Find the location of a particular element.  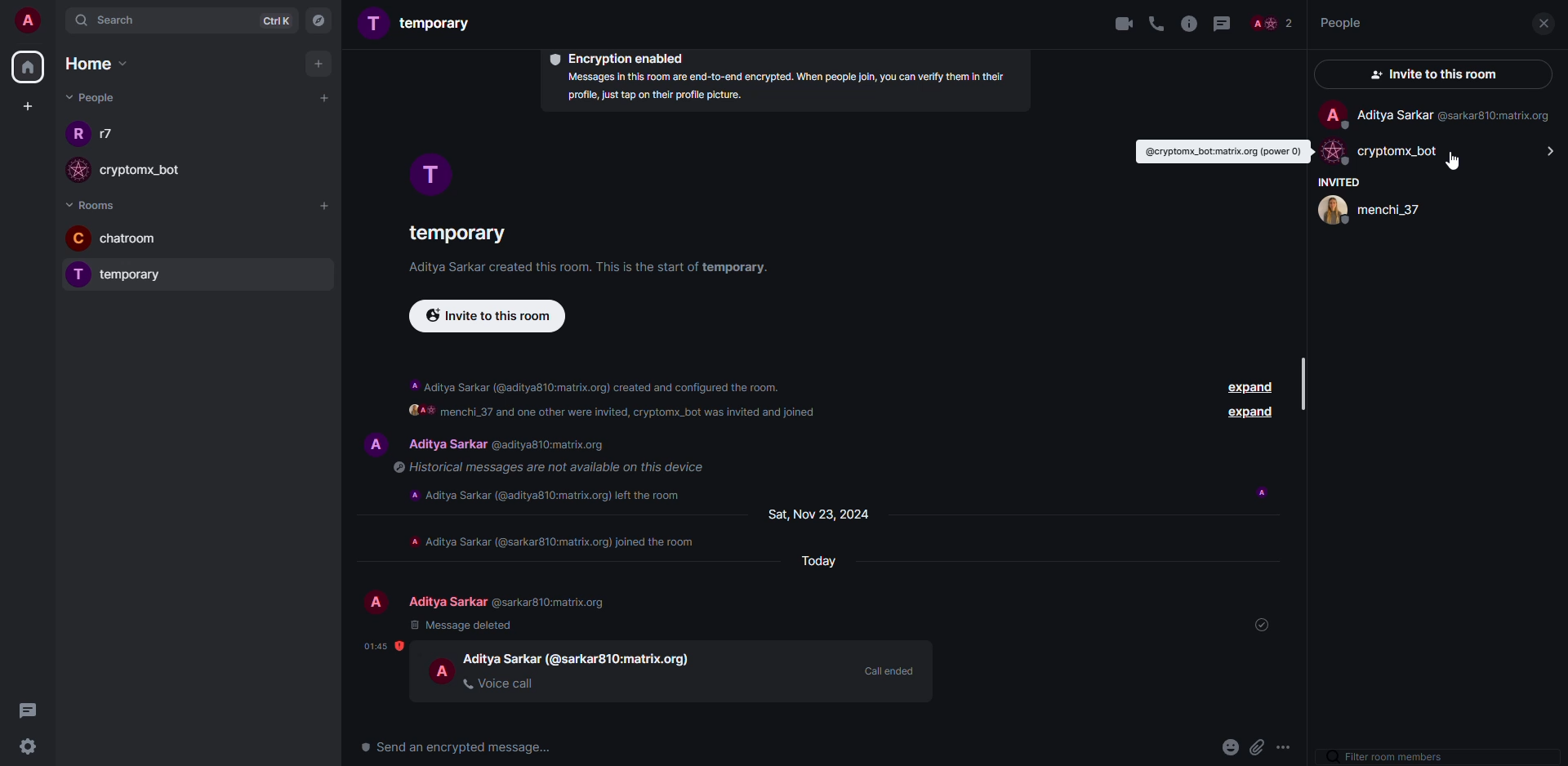

people is located at coordinates (510, 602).